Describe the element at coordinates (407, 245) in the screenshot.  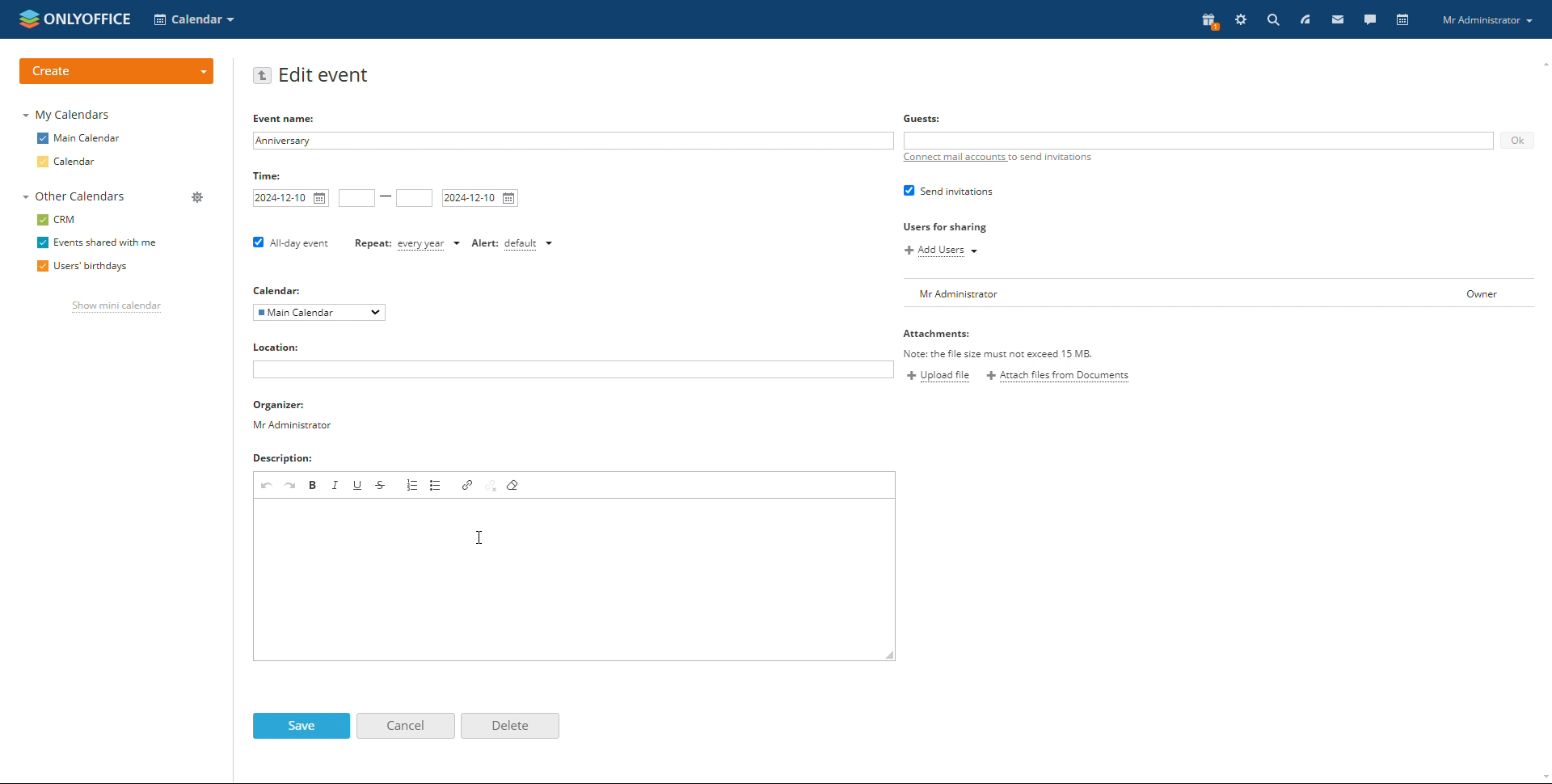
I see `event repetition` at that location.